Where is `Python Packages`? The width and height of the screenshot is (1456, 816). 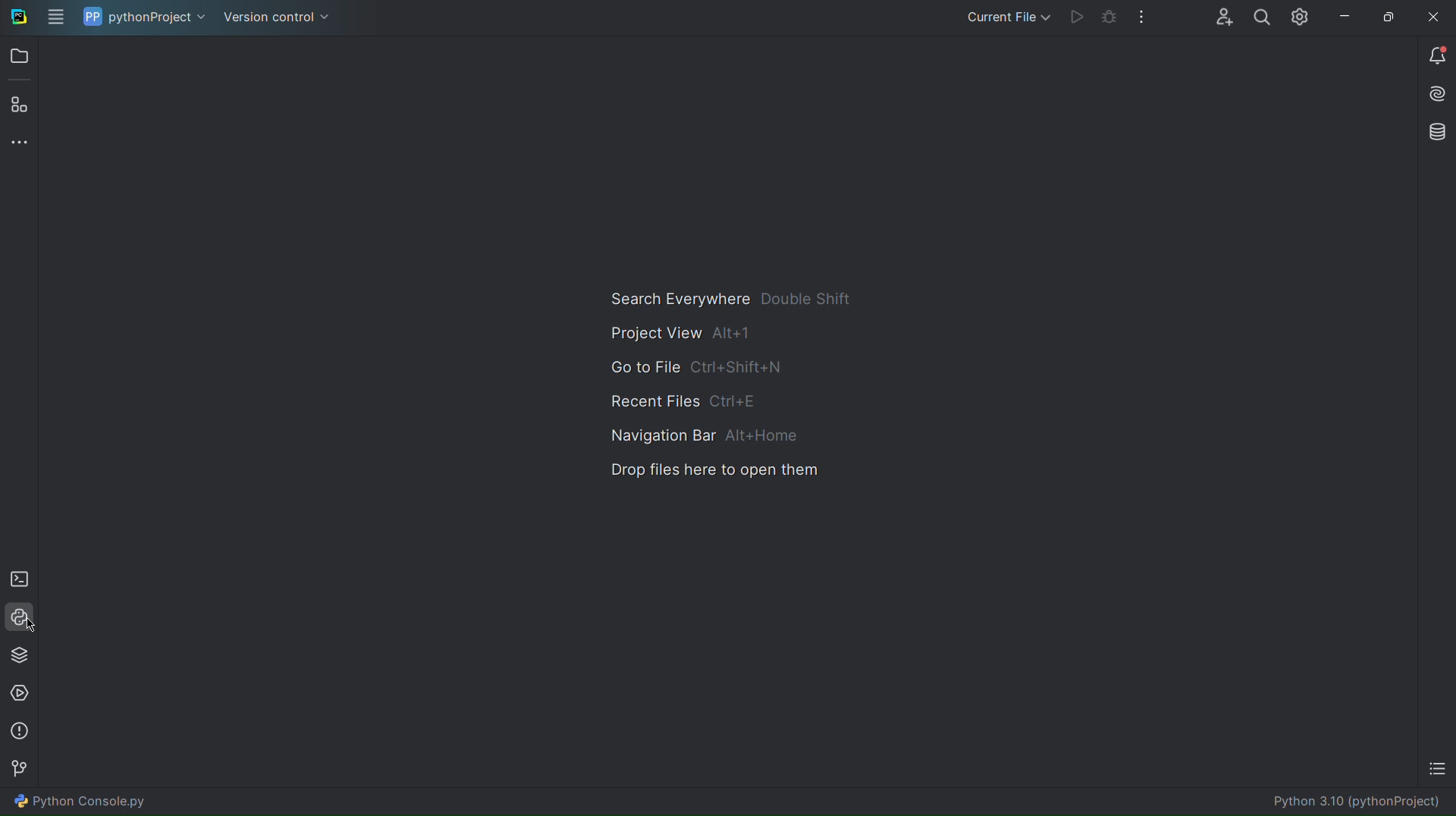 Python Packages is located at coordinates (20, 656).